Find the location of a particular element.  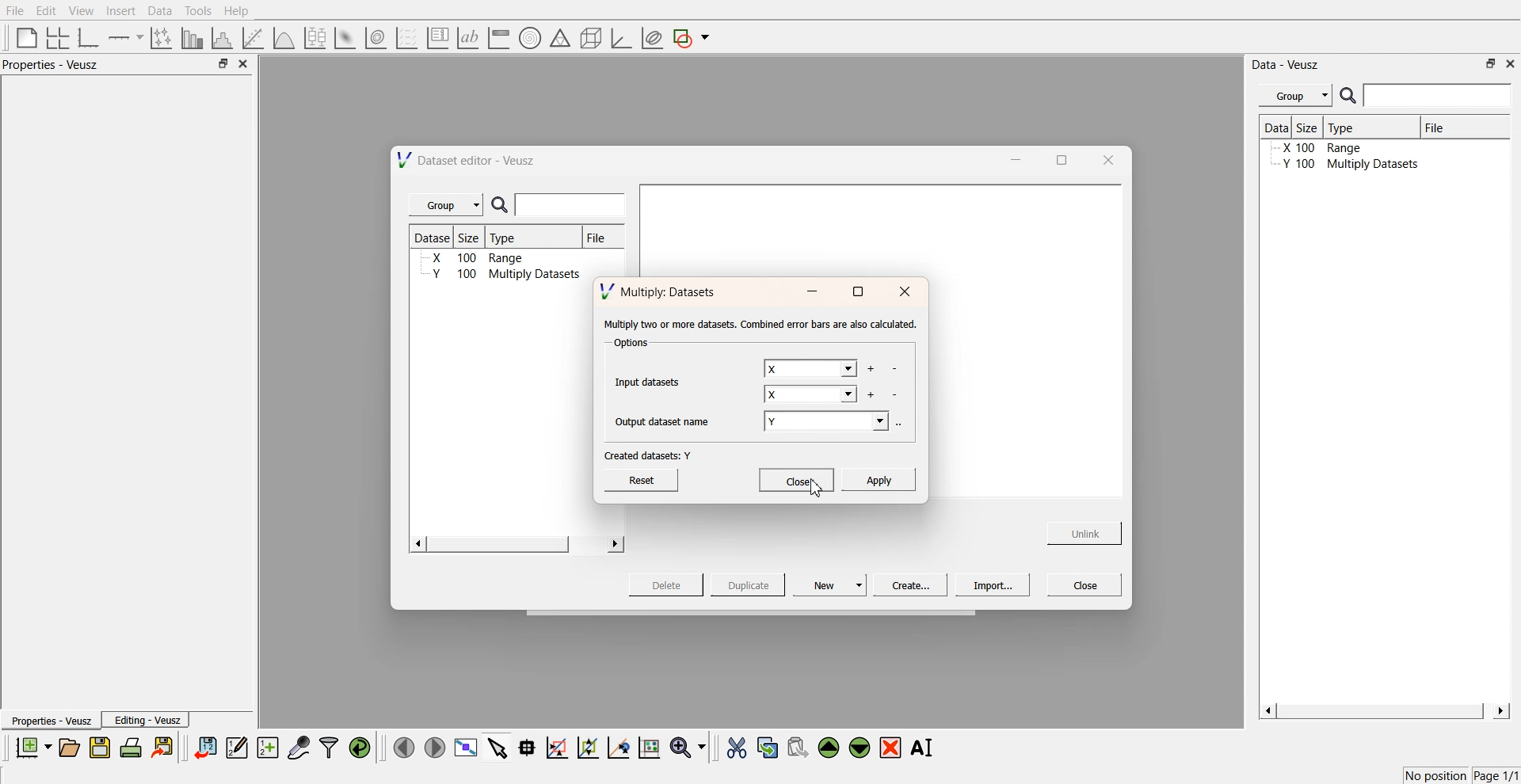

plot a 2d data set as contour is located at coordinates (375, 39).